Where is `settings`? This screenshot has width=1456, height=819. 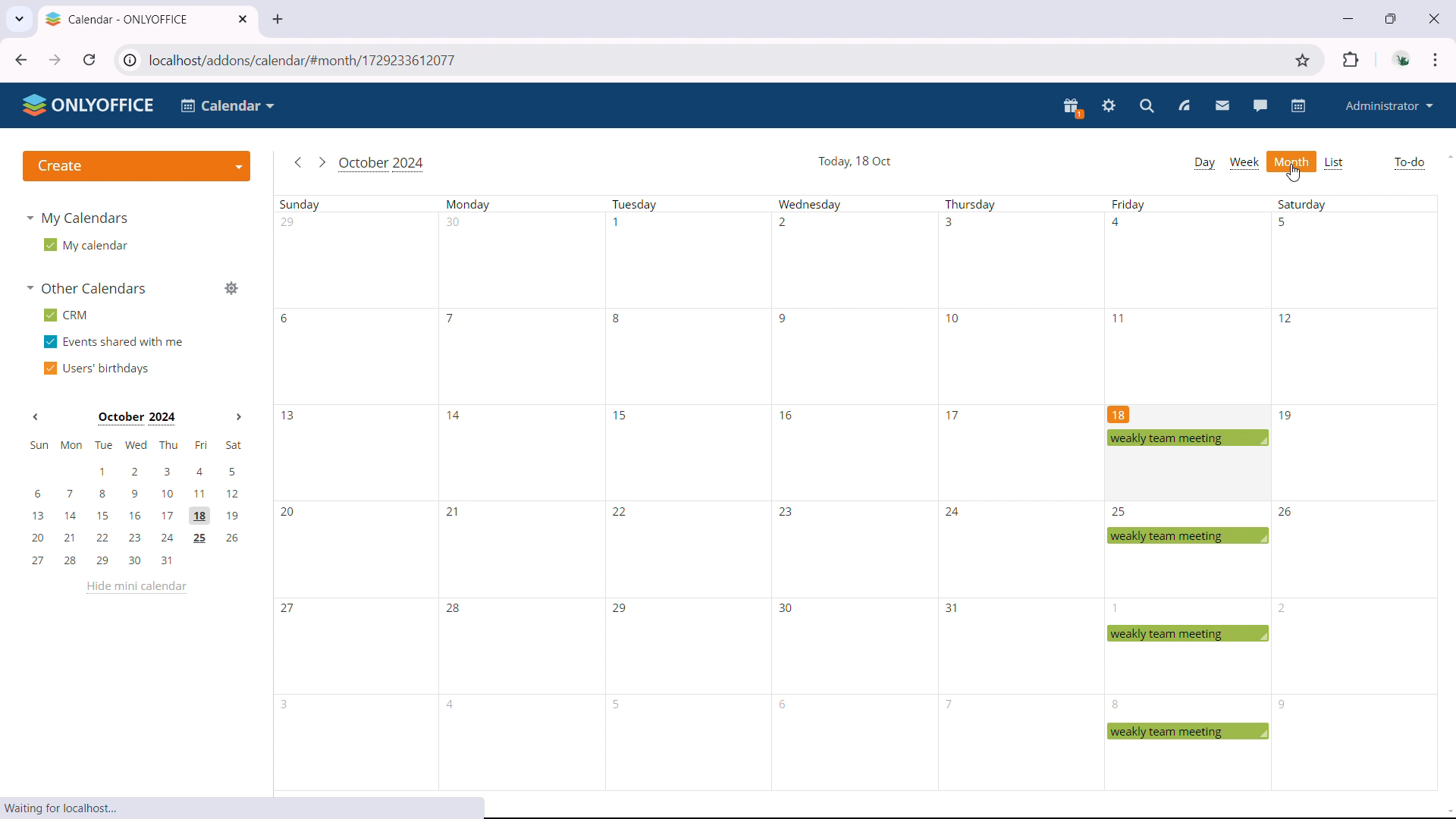 settings is located at coordinates (1107, 106).